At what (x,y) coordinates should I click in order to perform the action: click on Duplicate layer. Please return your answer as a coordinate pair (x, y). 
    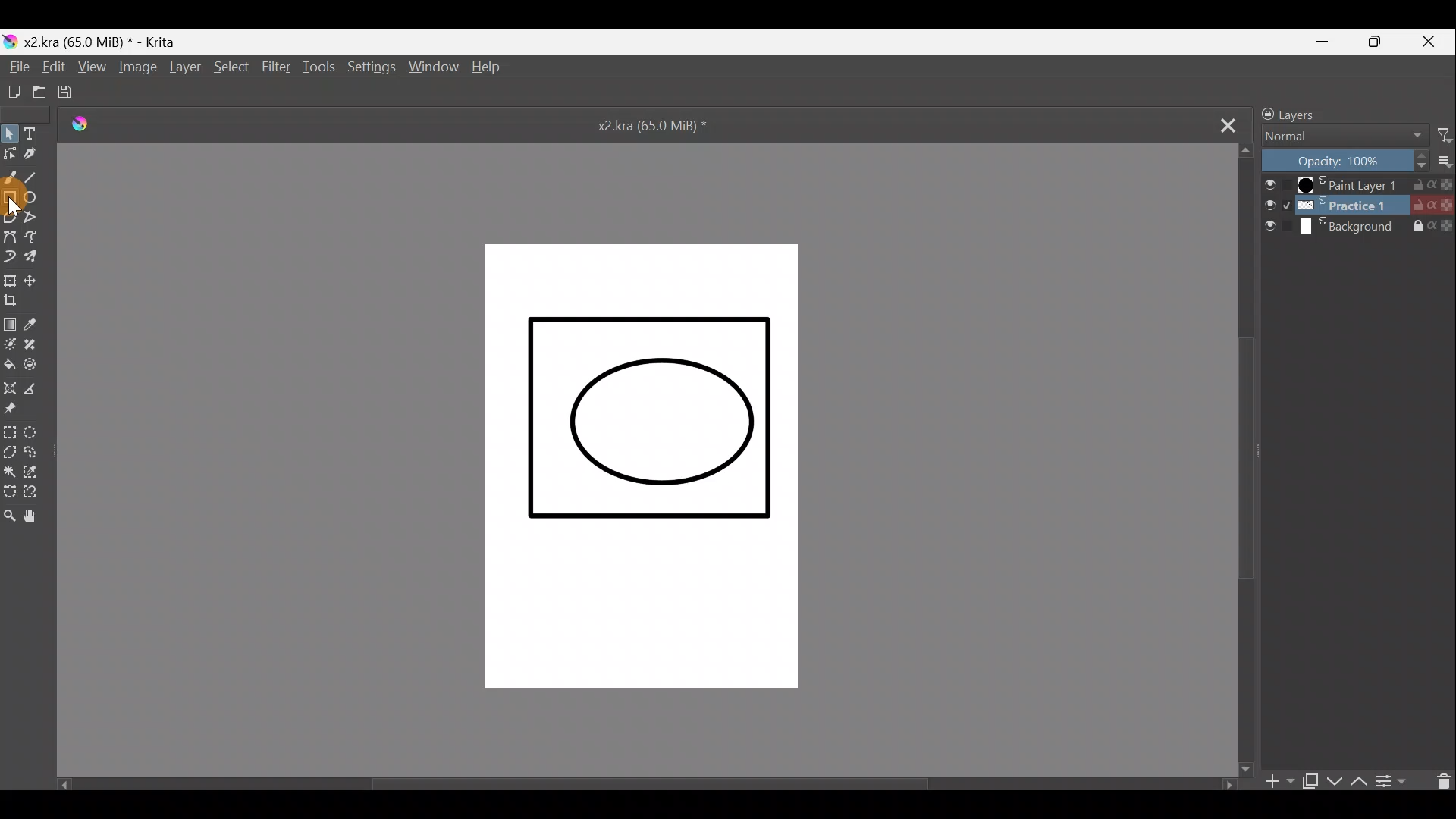
    Looking at the image, I should click on (1310, 784).